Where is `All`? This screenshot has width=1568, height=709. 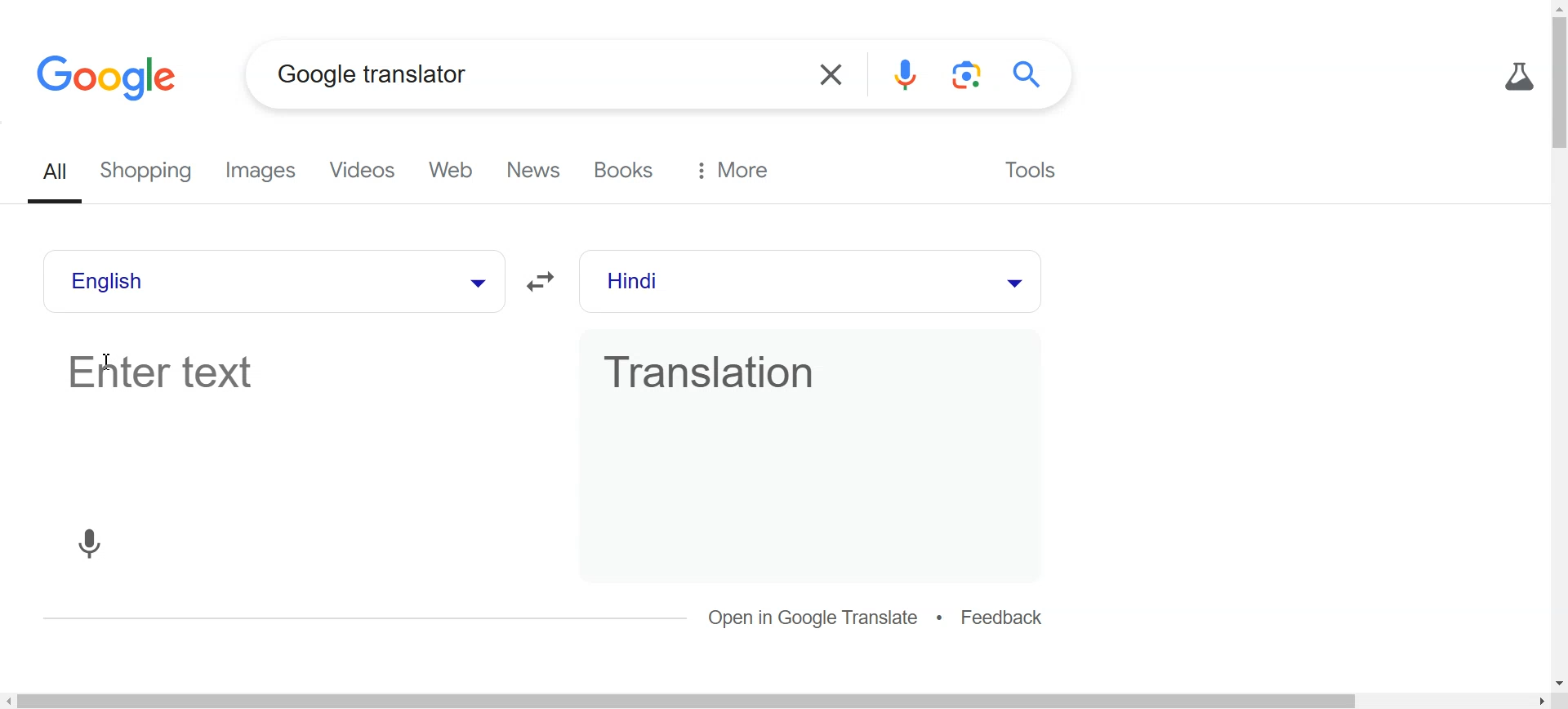 All is located at coordinates (58, 173).